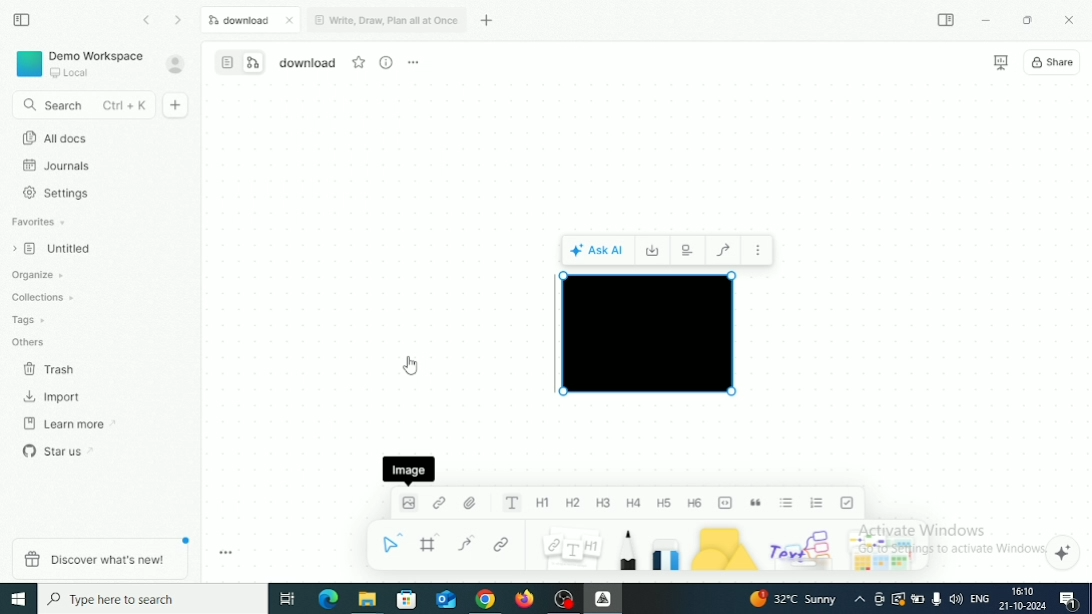 The width and height of the screenshot is (1092, 614). I want to click on Task View, so click(287, 599).